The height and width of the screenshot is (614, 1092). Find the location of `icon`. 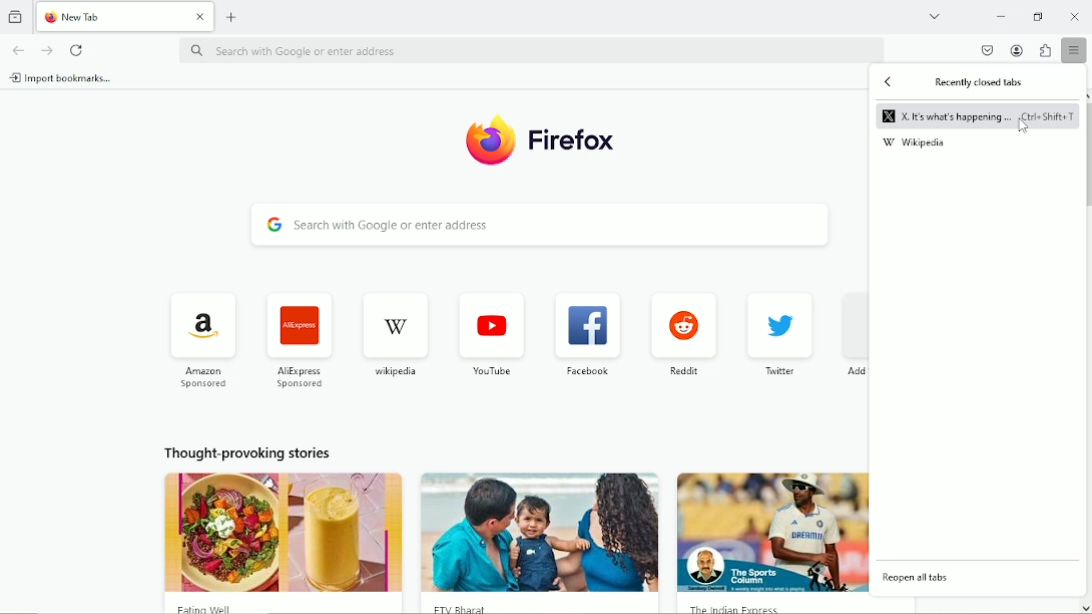

icon is located at coordinates (491, 329).